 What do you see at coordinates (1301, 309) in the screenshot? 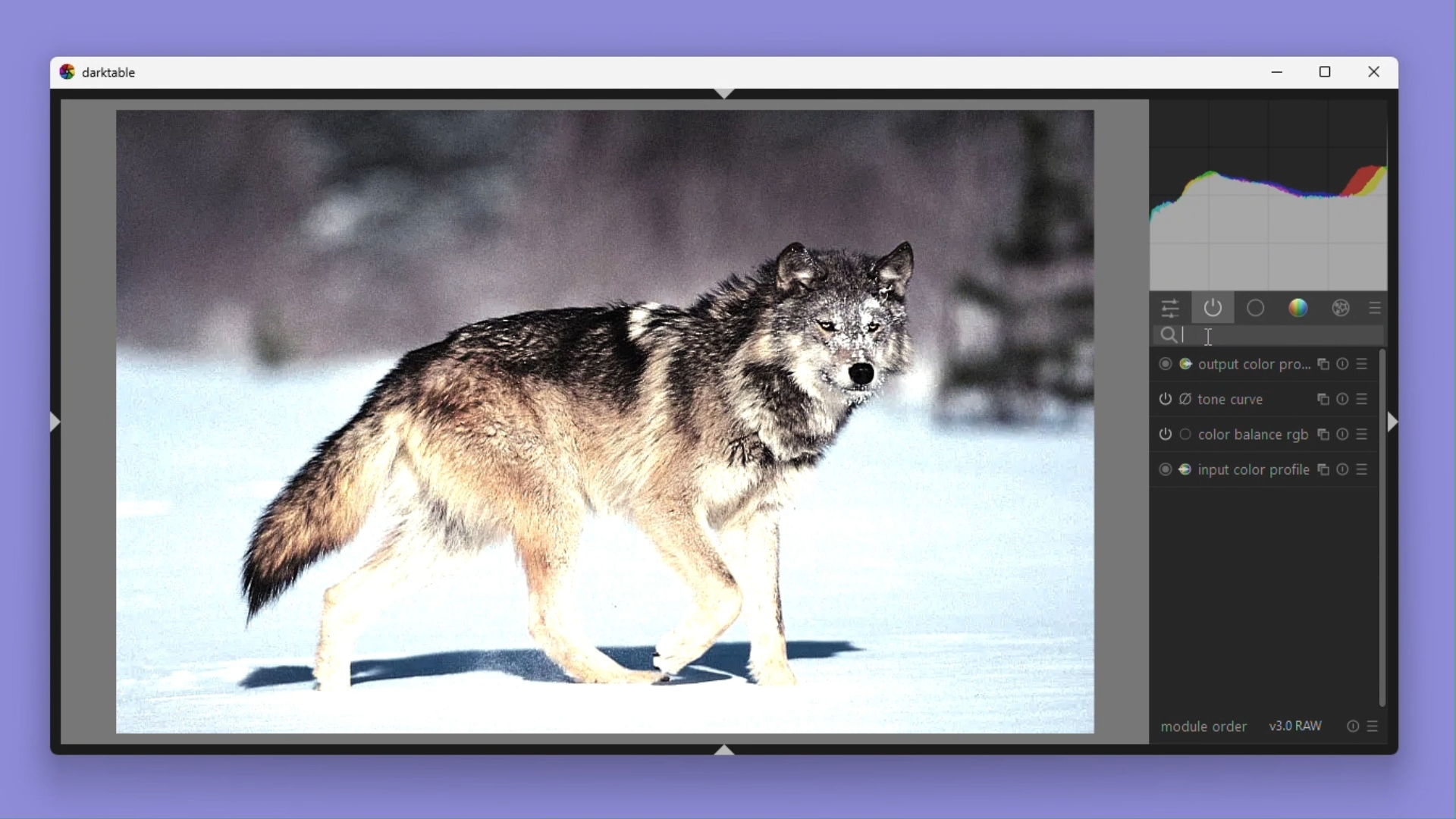
I see `Colour ` at bounding box center [1301, 309].